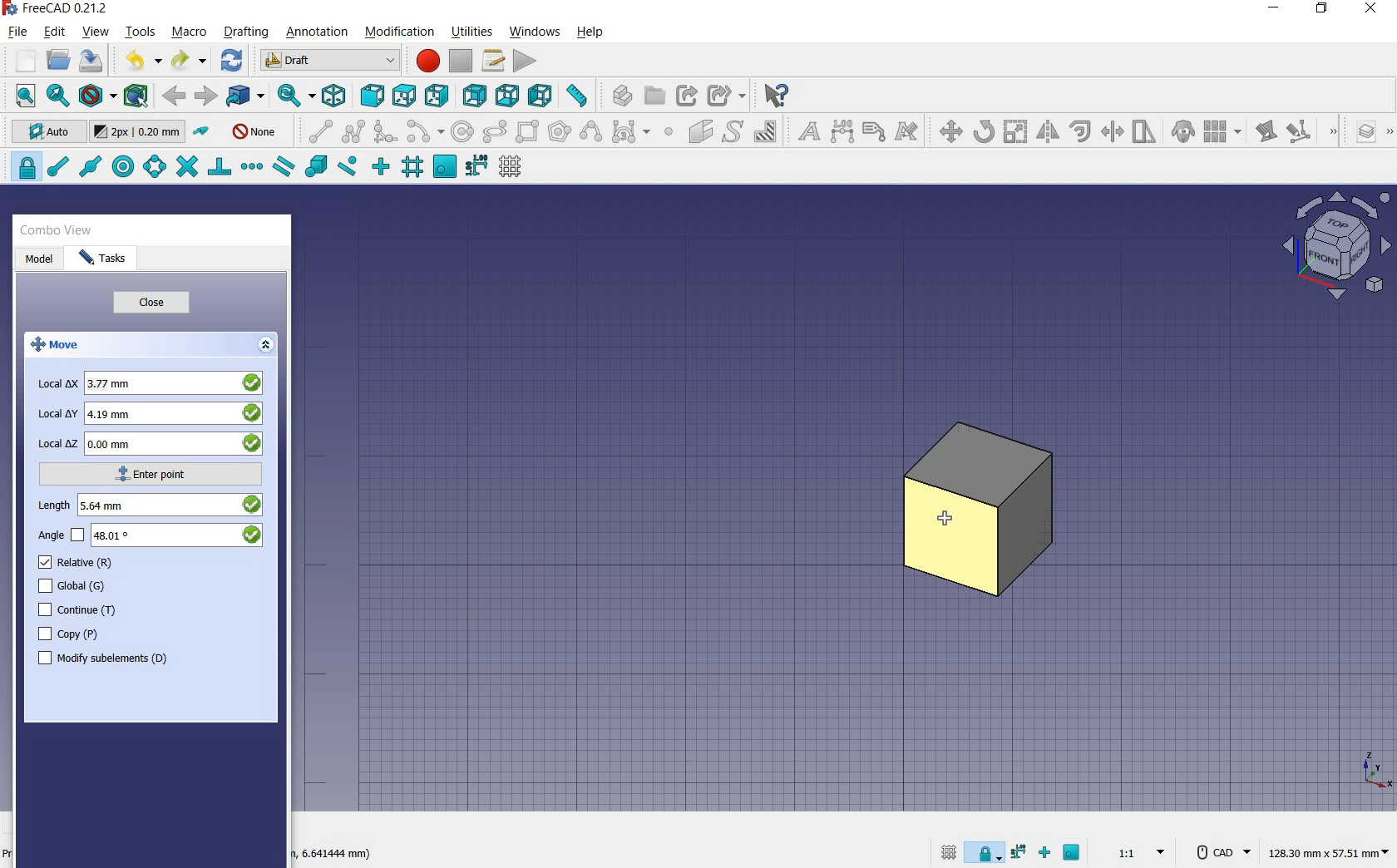  I want to click on facebinder, so click(699, 131).